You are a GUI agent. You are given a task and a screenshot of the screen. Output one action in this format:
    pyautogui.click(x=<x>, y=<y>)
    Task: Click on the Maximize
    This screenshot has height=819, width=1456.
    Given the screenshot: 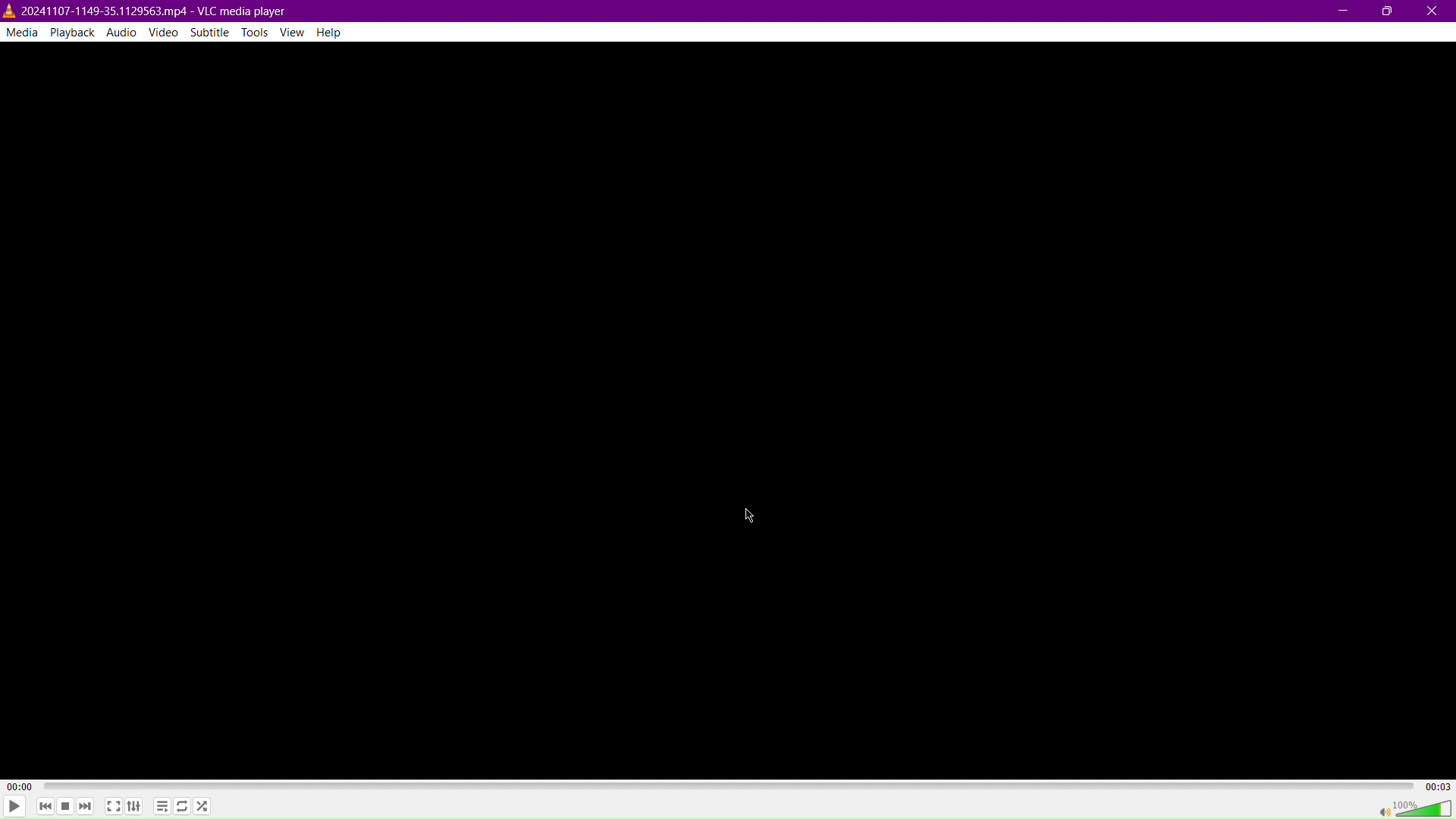 What is the action you would take?
    pyautogui.click(x=1387, y=11)
    